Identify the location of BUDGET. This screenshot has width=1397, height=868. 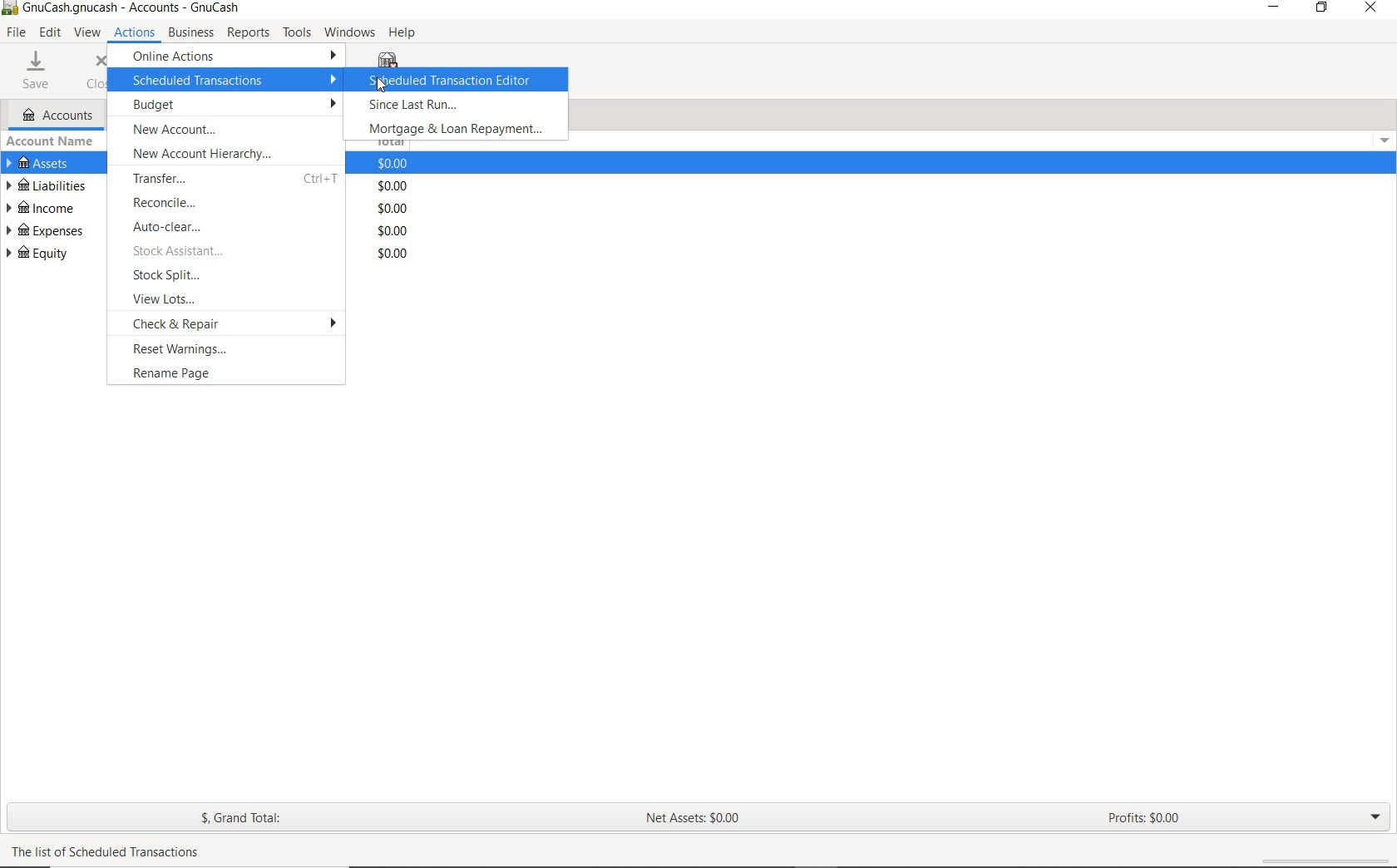
(229, 105).